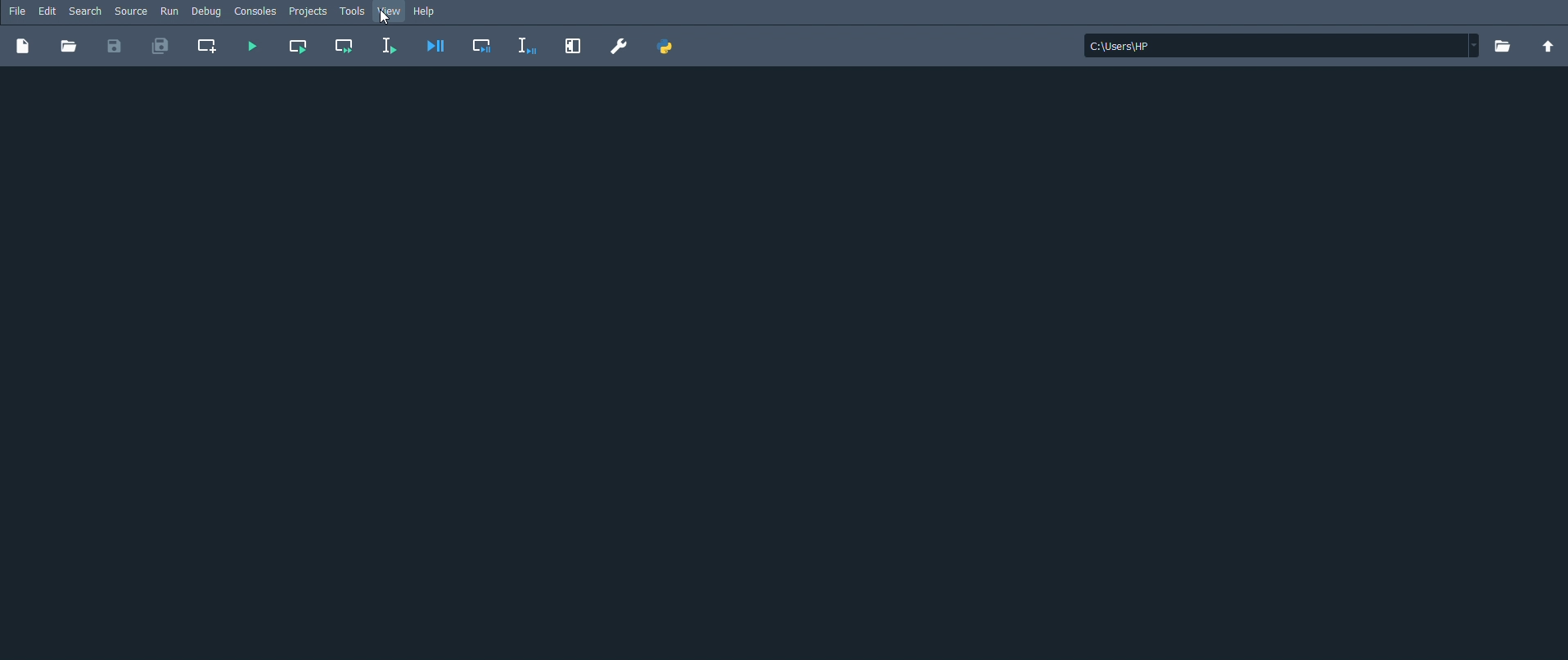 This screenshot has height=660, width=1568. What do you see at coordinates (309, 11) in the screenshot?
I see `Projects` at bounding box center [309, 11].